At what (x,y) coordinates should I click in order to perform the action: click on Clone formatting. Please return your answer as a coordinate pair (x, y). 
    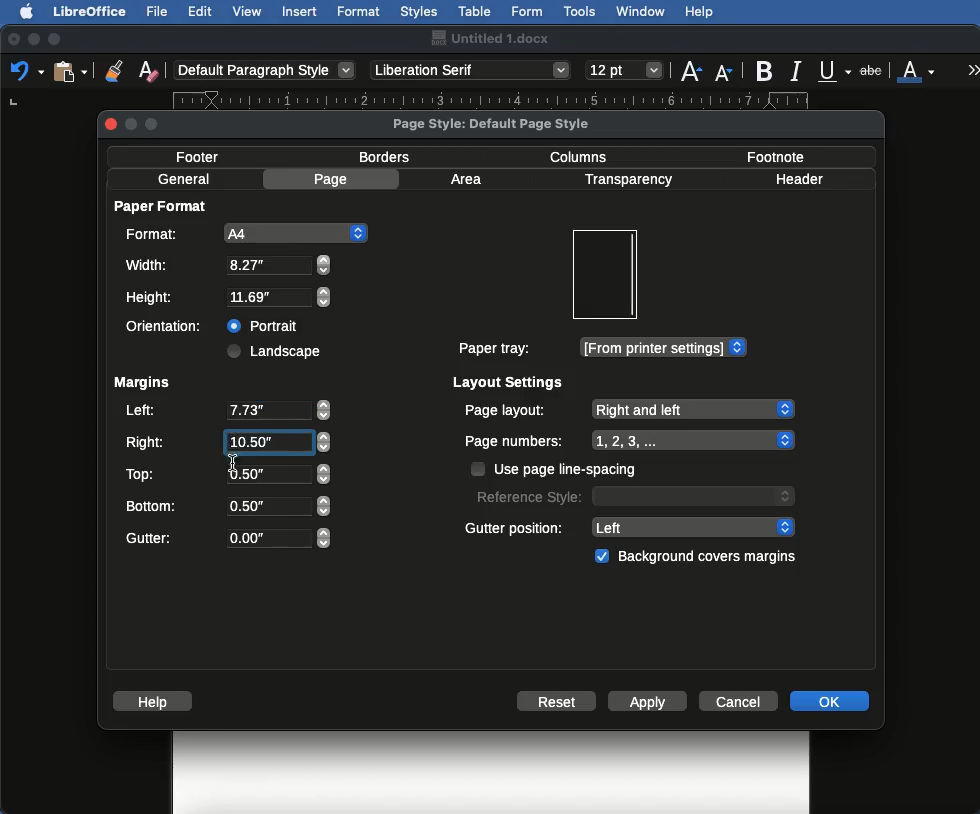
    Looking at the image, I should click on (114, 70).